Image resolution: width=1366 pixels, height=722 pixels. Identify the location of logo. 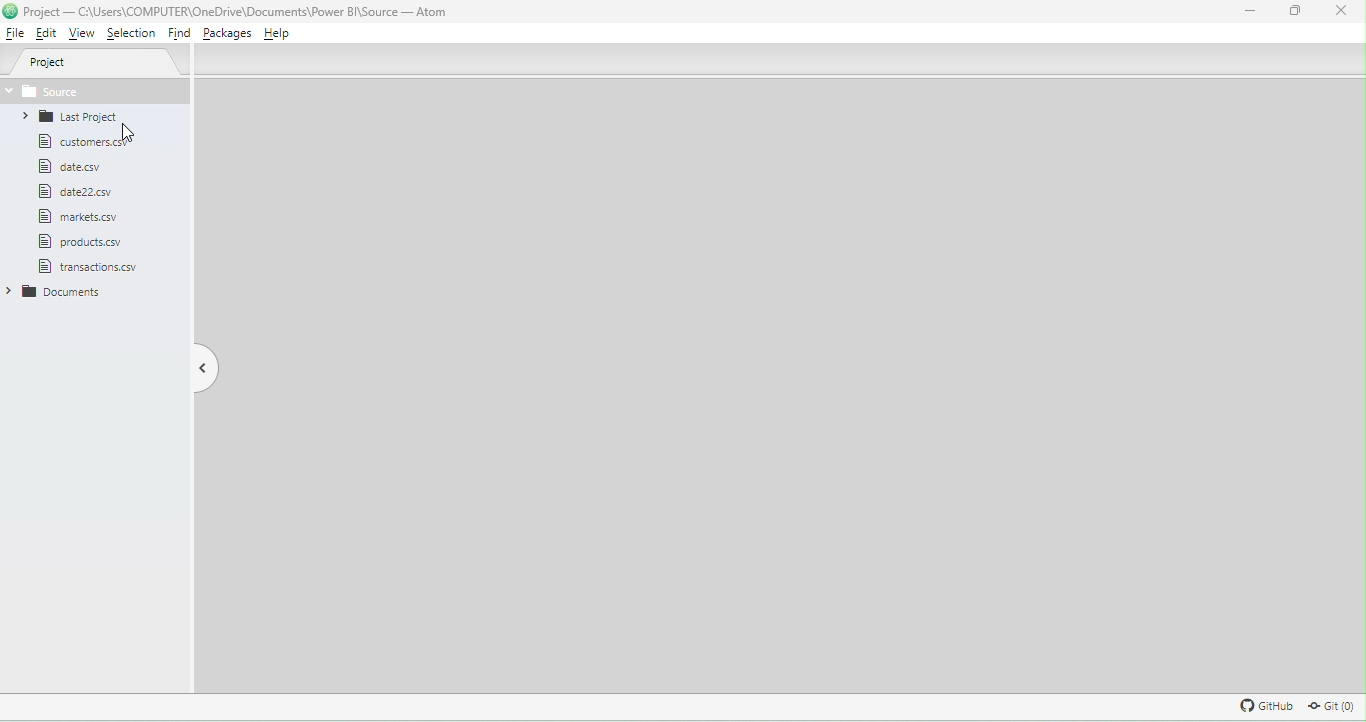
(11, 13).